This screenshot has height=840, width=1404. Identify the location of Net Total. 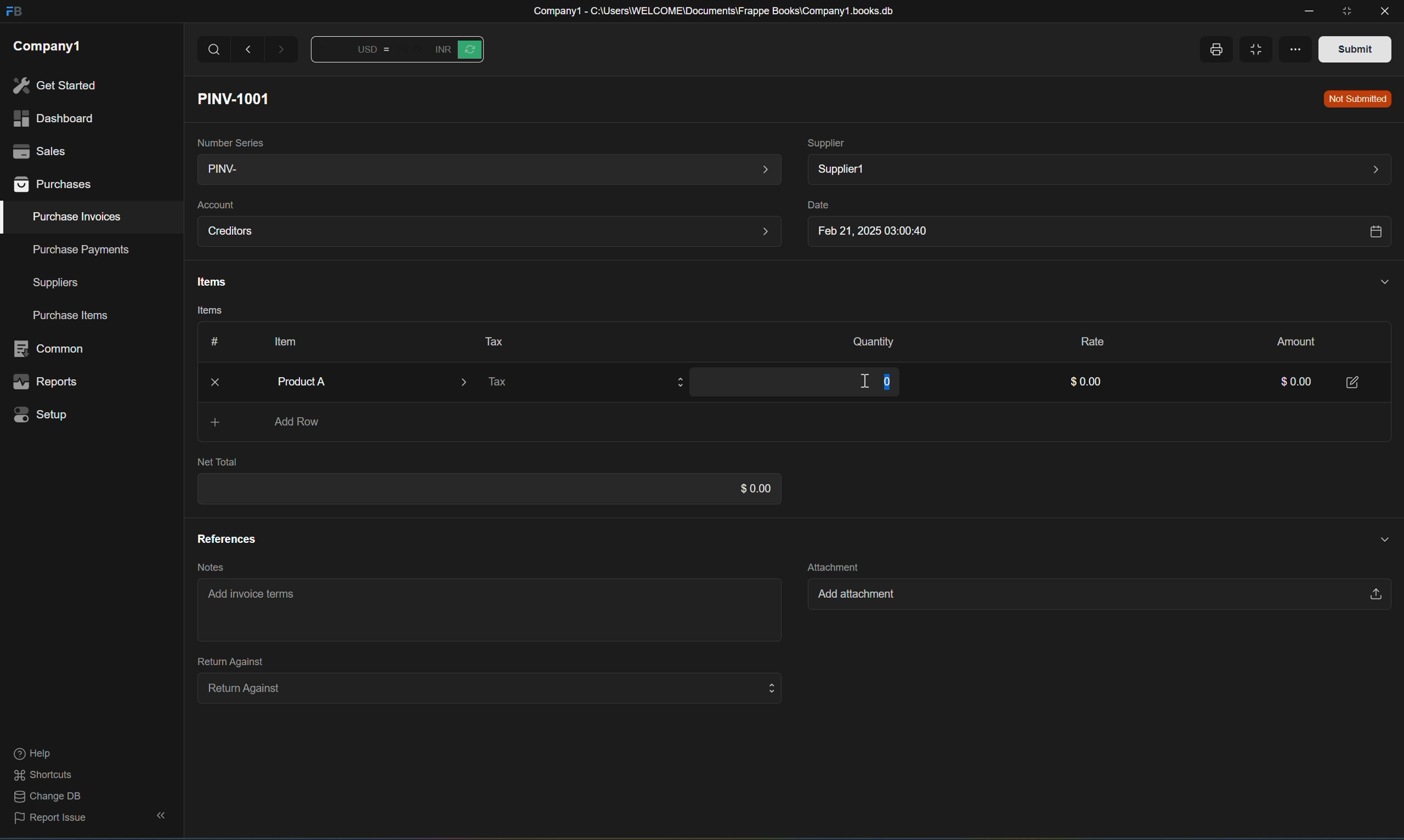
(217, 462).